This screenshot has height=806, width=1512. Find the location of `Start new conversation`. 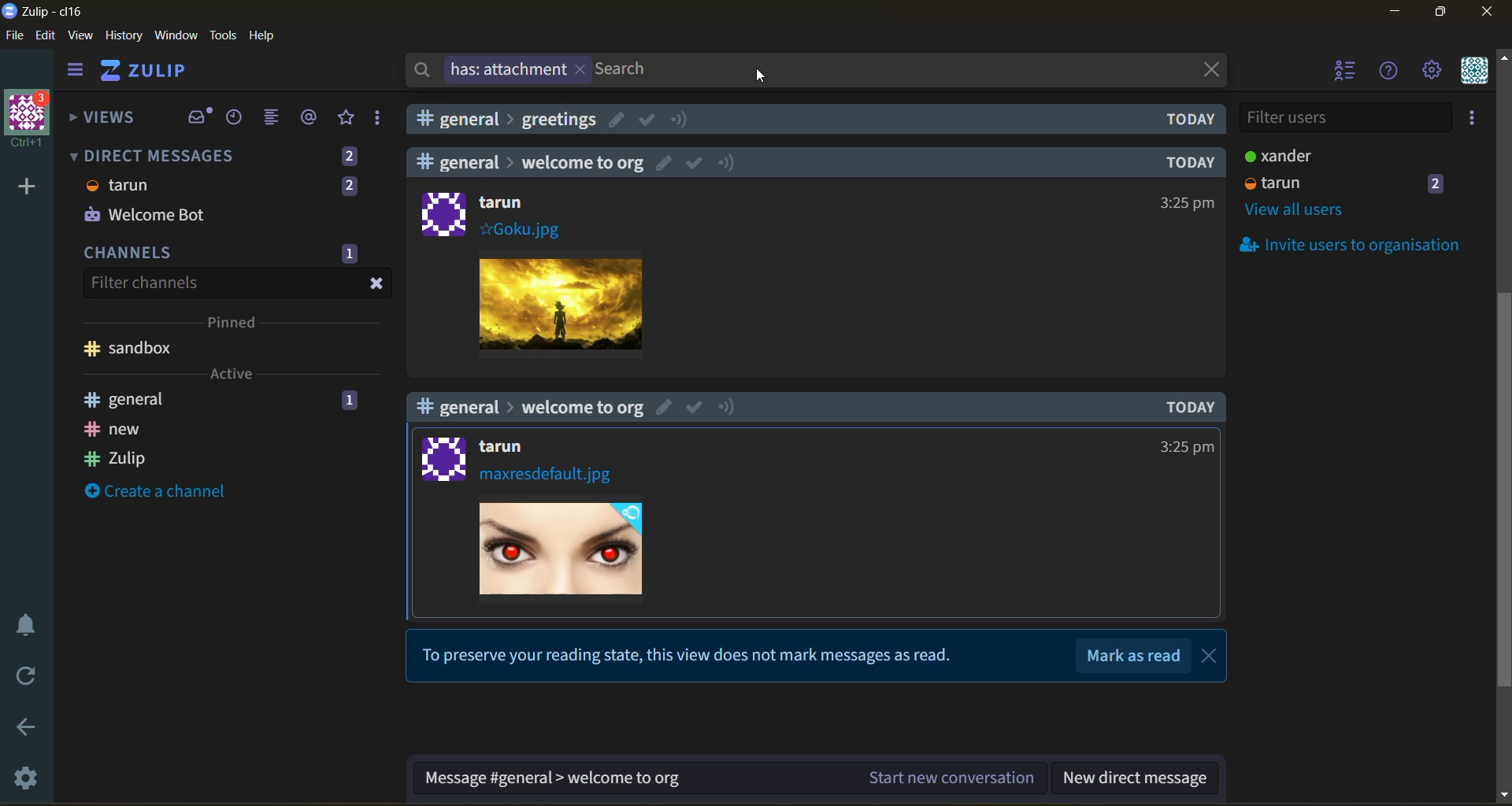

Start new conversation is located at coordinates (953, 776).